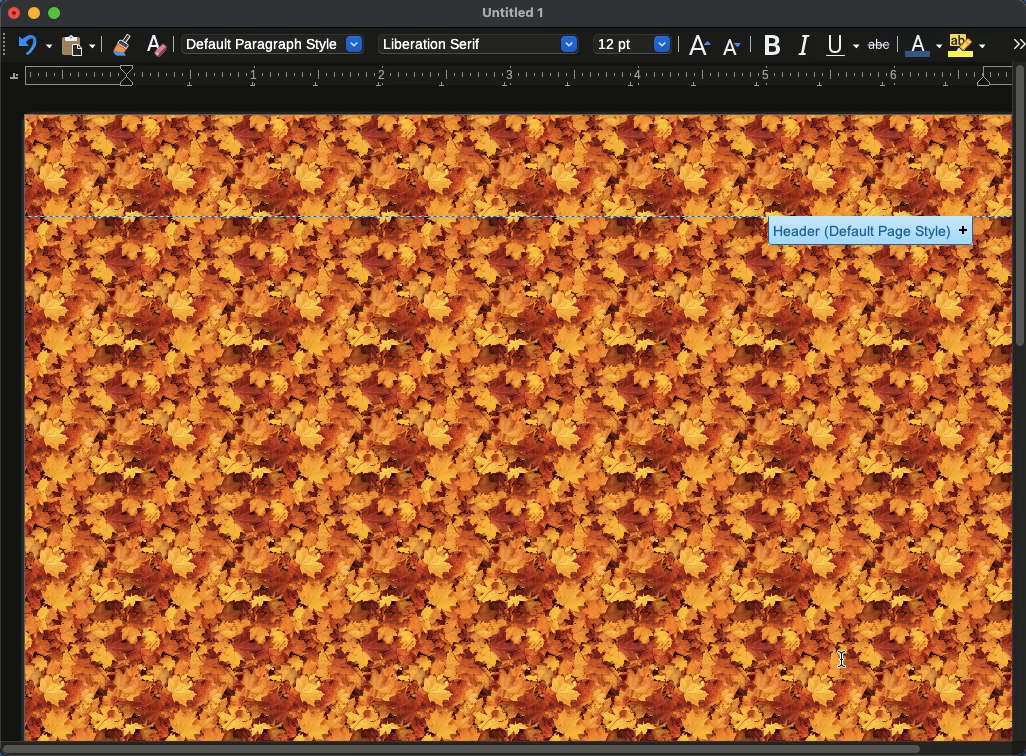 This screenshot has width=1026, height=756. What do you see at coordinates (480, 45) in the screenshot?
I see `Liberation serif` at bounding box center [480, 45].